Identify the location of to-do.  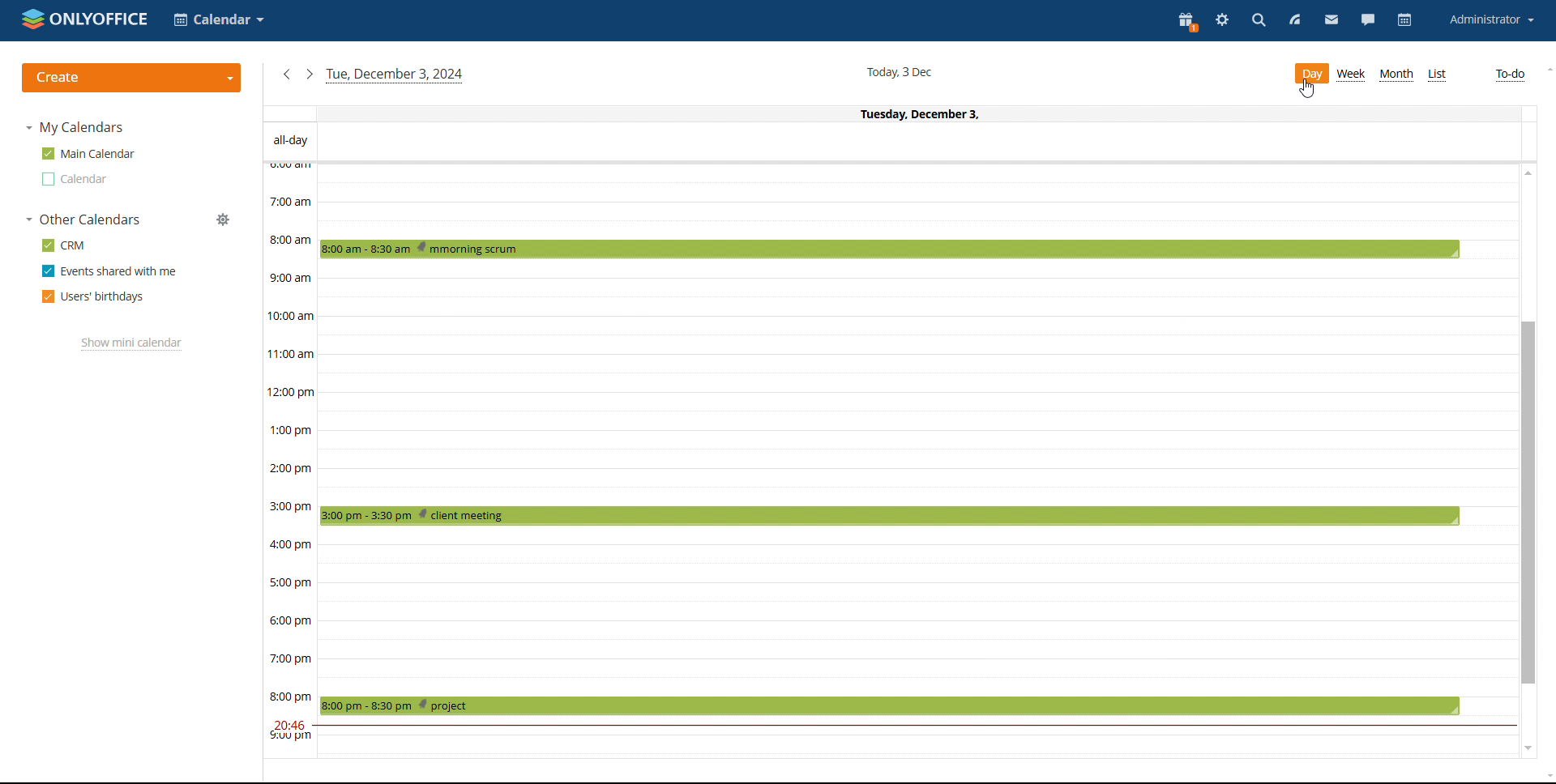
(1511, 75).